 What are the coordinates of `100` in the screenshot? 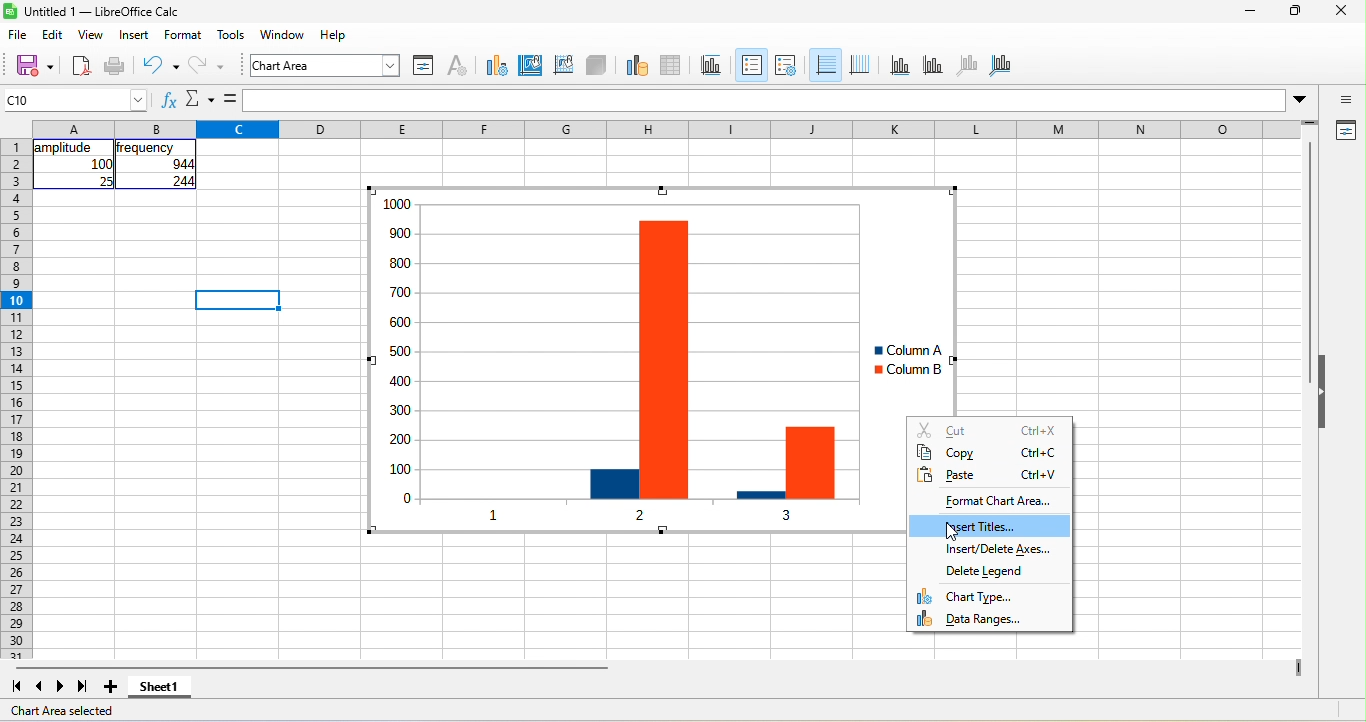 It's located at (101, 164).